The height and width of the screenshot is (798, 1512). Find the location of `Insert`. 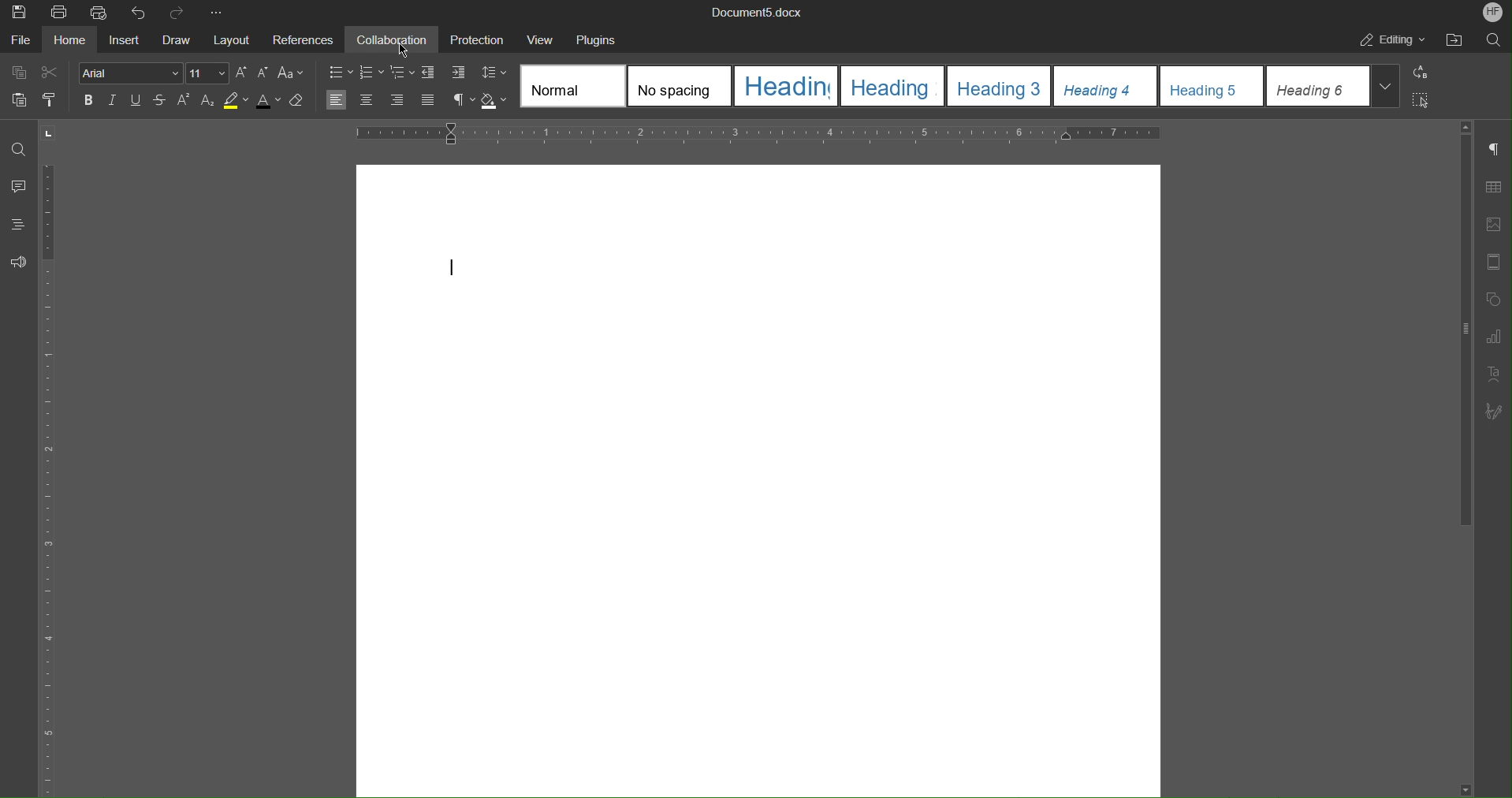

Insert is located at coordinates (132, 38).